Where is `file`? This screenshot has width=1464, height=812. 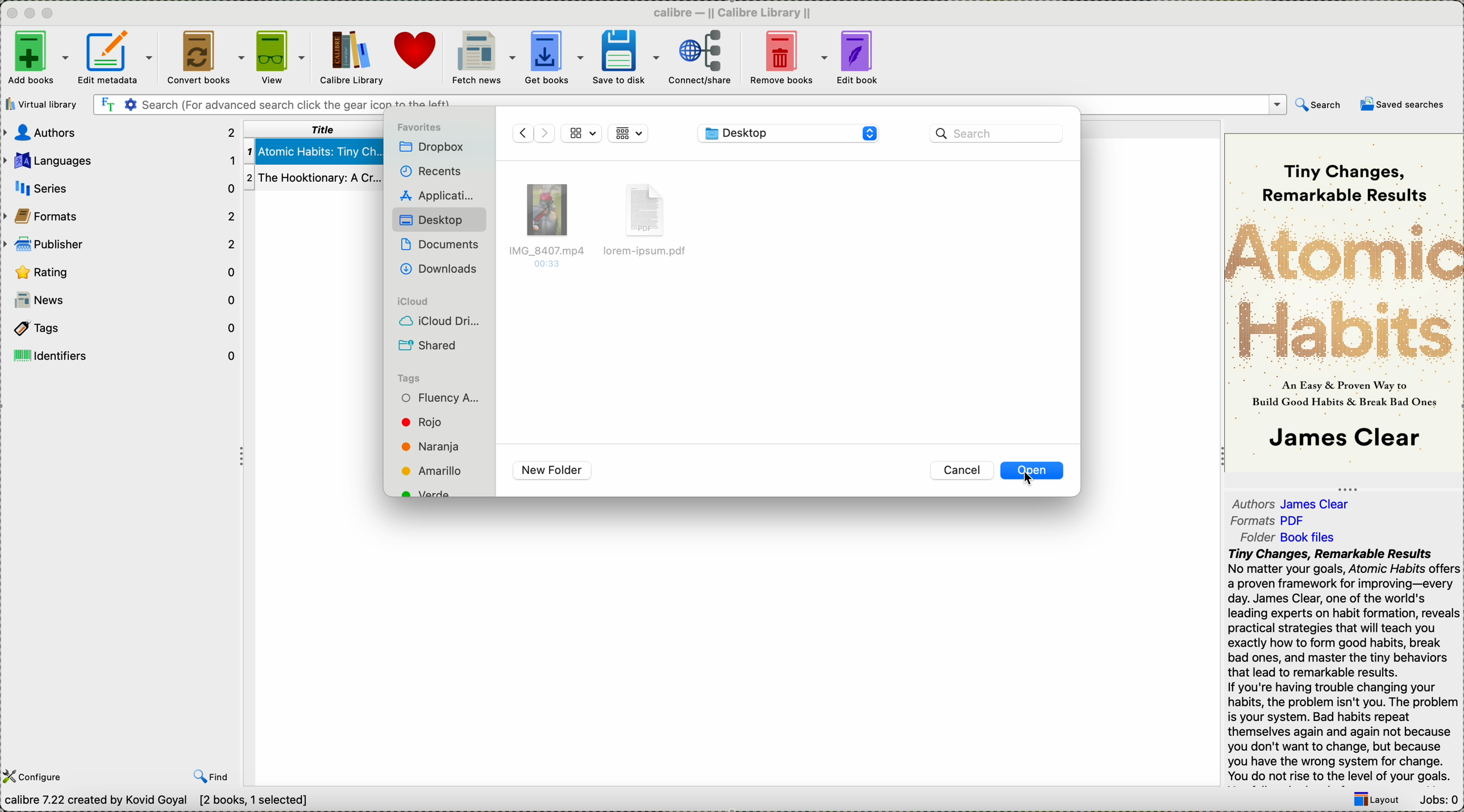
file is located at coordinates (549, 222).